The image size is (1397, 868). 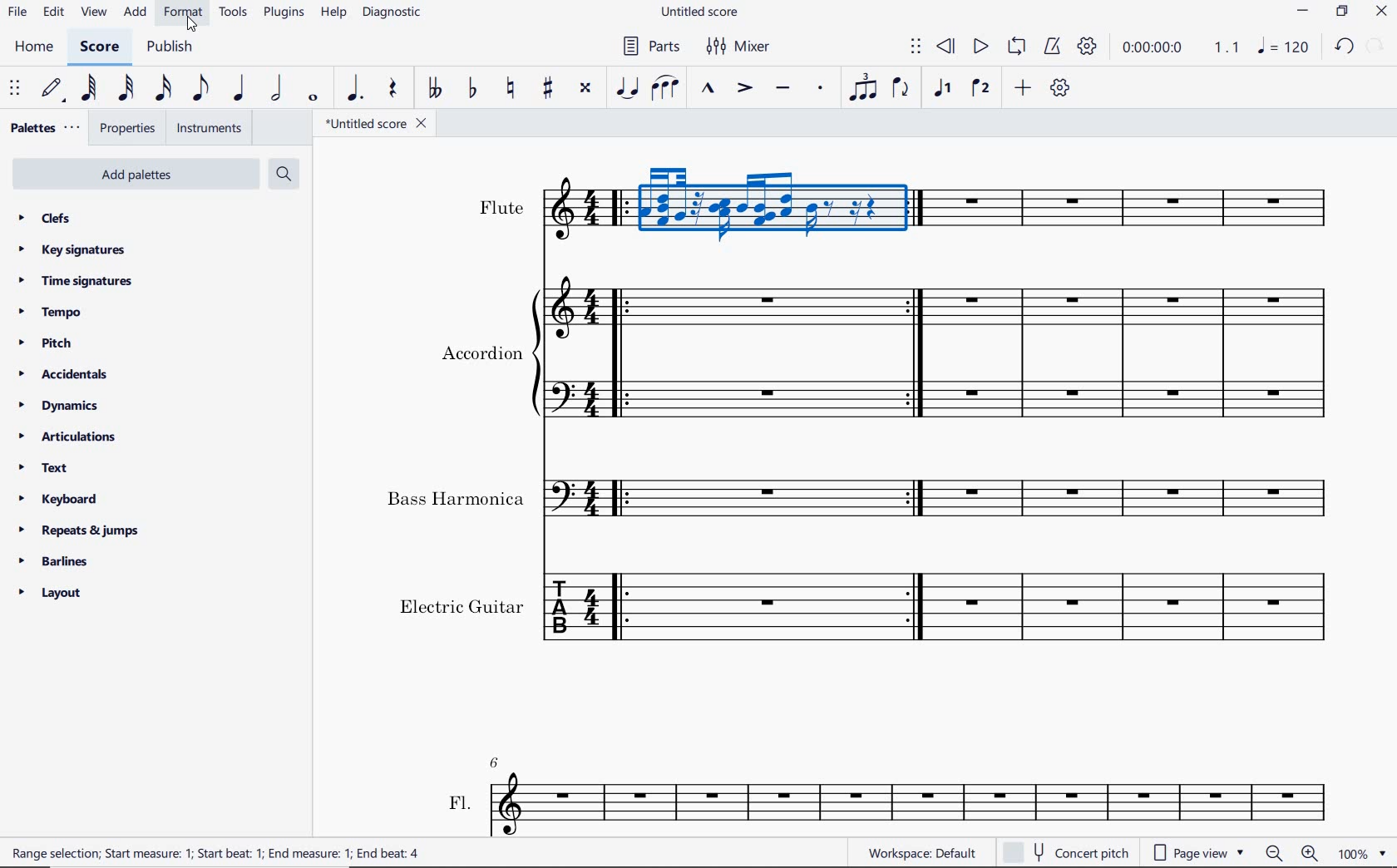 I want to click on loop playback, so click(x=1015, y=47).